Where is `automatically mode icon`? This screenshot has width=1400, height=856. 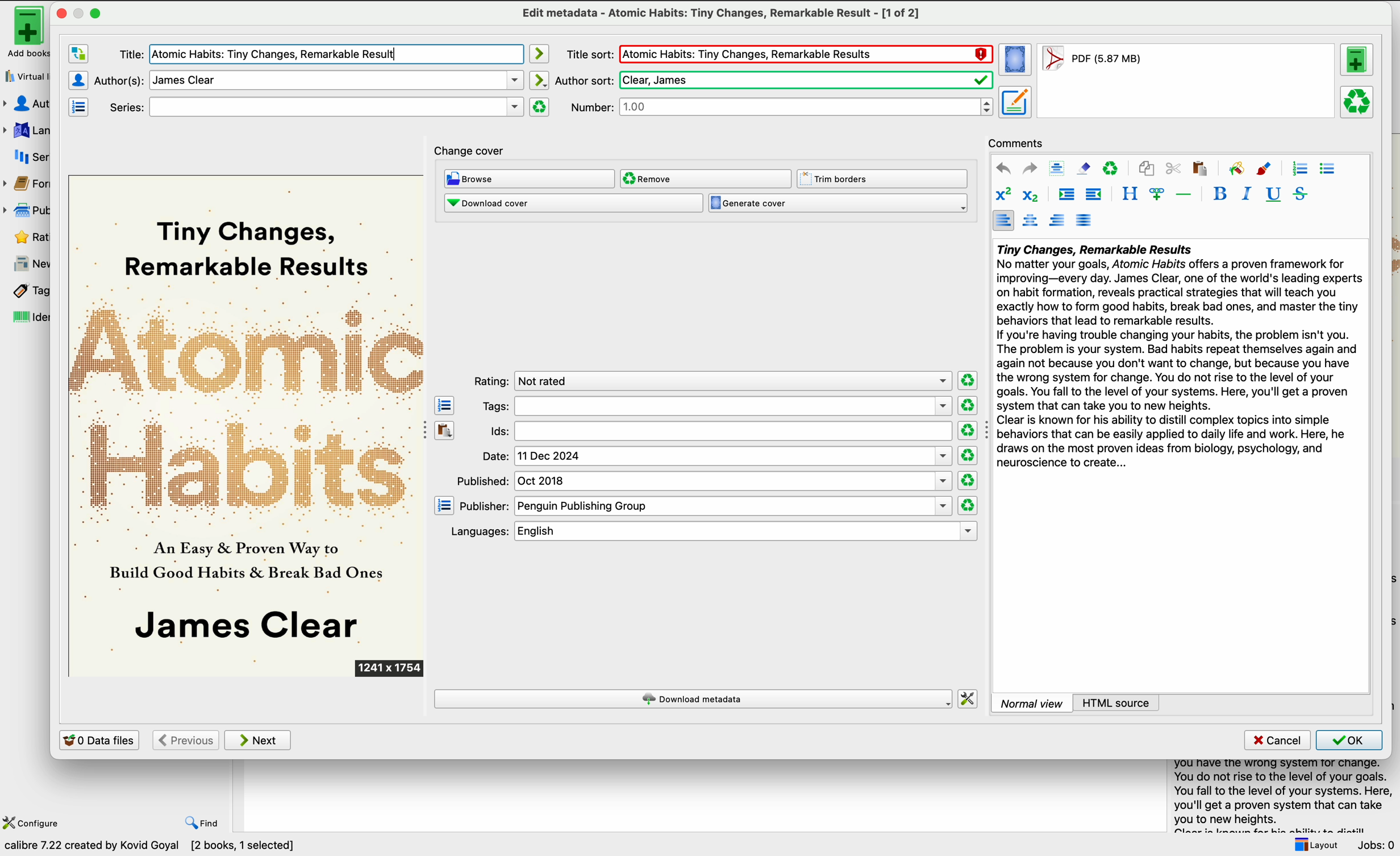 automatically mode icon is located at coordinates (541, 53).